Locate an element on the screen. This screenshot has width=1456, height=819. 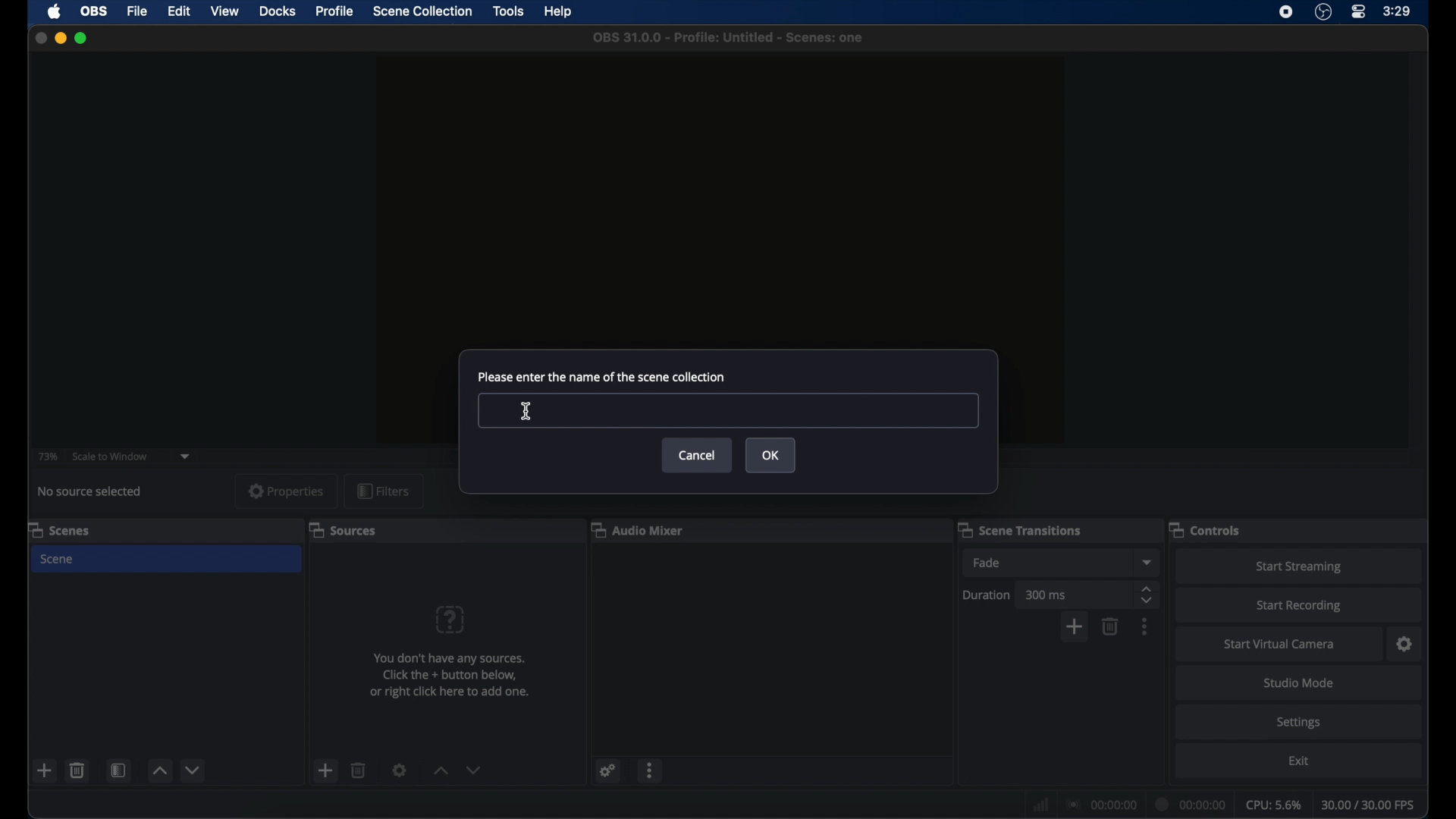
add is located at coordinates (1074, 628).